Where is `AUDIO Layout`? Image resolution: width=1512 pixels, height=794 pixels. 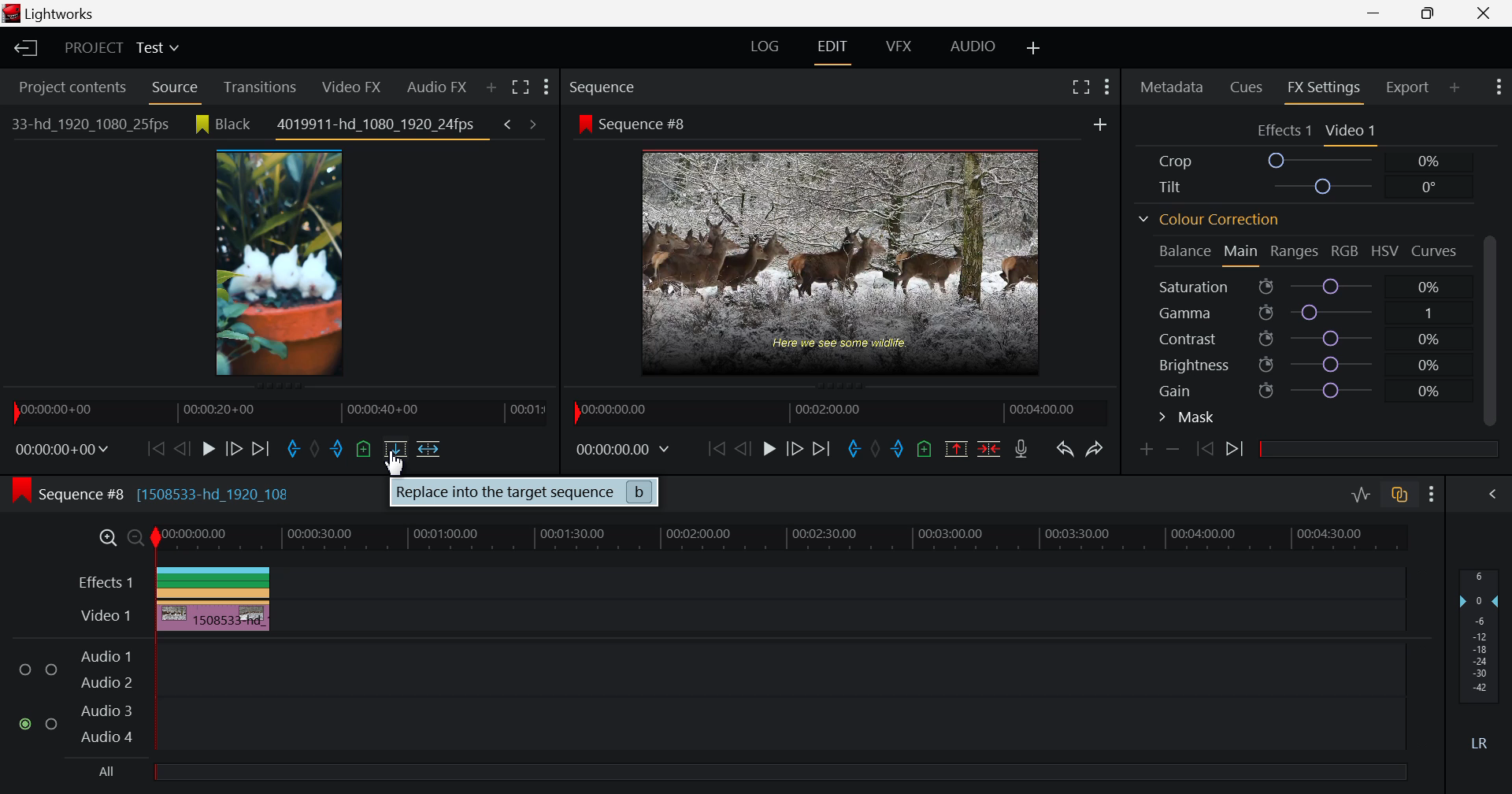 AUDIO Layout is located at coordinates (972, 48).